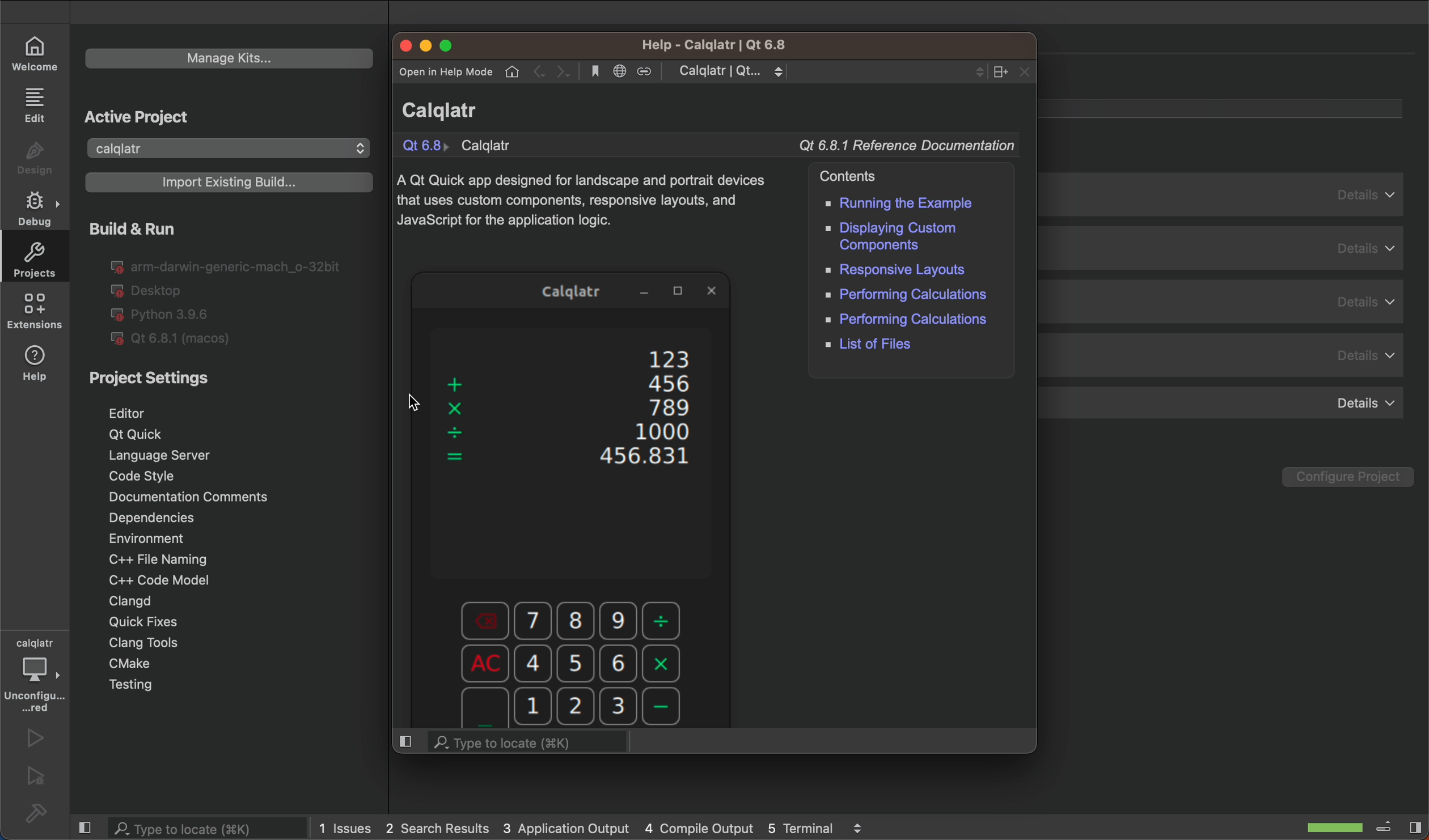 The image size is (1429, 840). What do you see at coordinates (824, 829) in the screenshot?
I see `terminal` at bounding box center [824, 829].